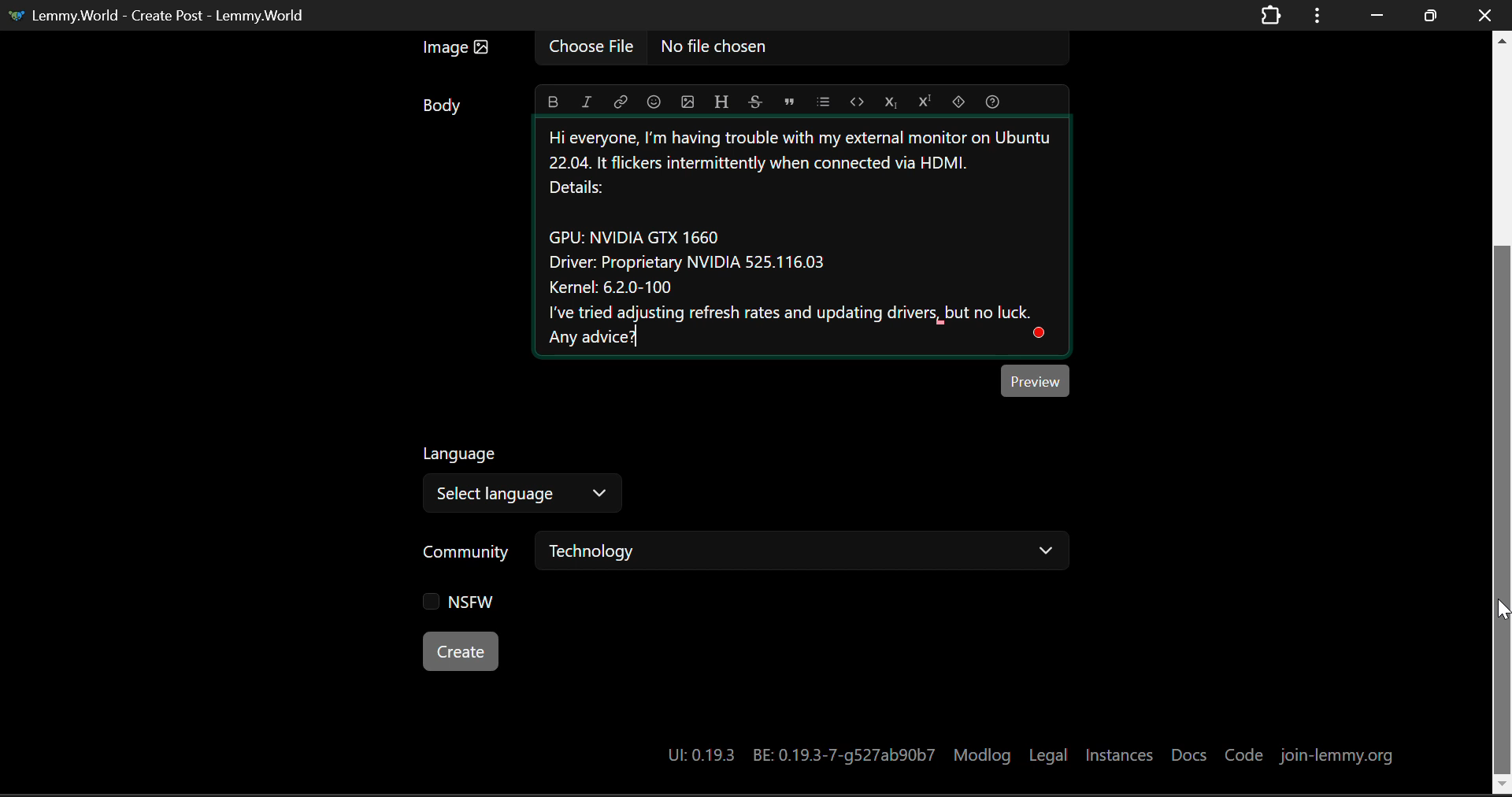 The width and height of the screenshot is (1512, 797). I want to click on Extensions, so click(1271, 17).